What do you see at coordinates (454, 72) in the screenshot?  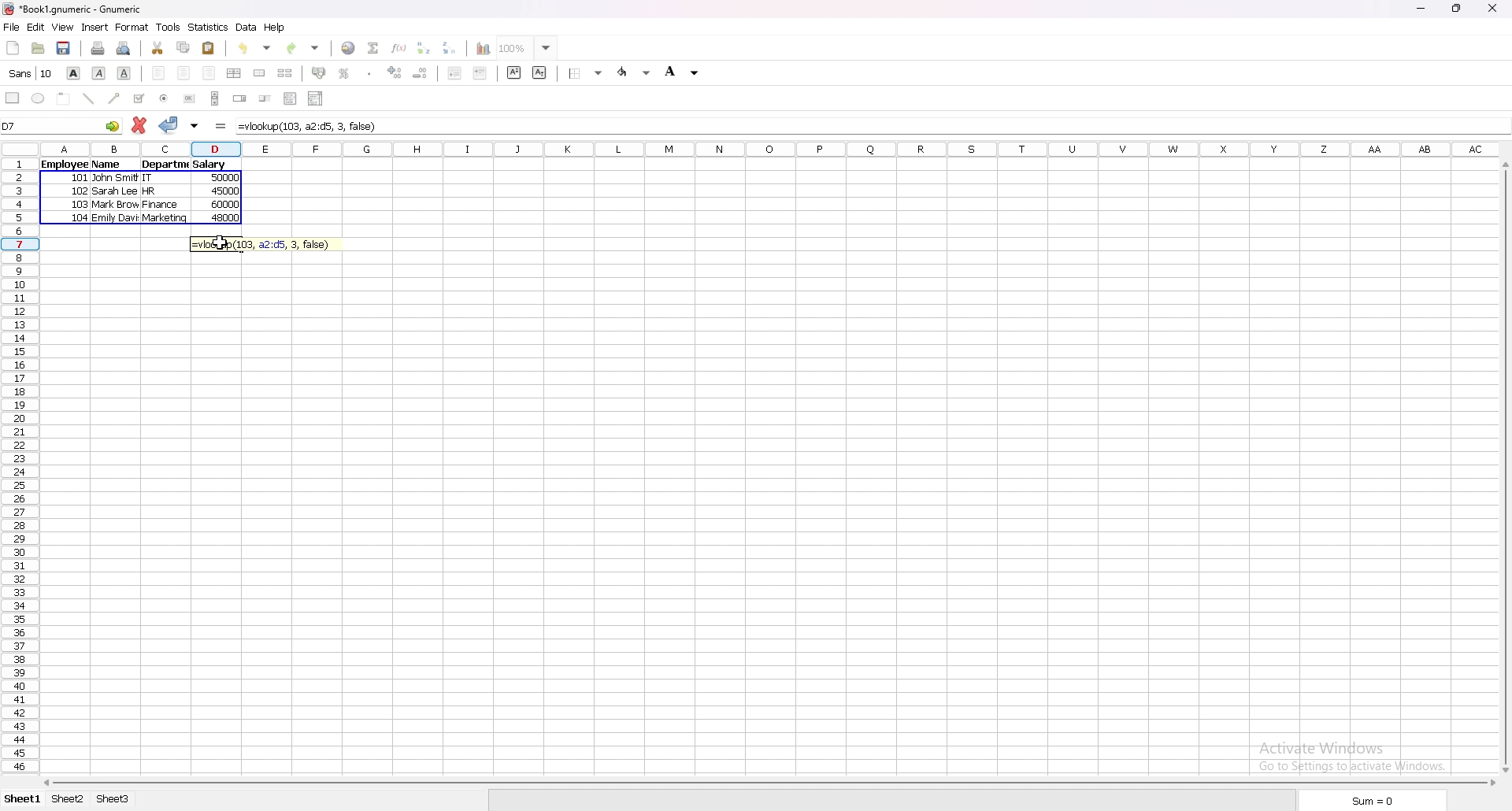 I see `decrease indent` at bounding box center [454, 72].